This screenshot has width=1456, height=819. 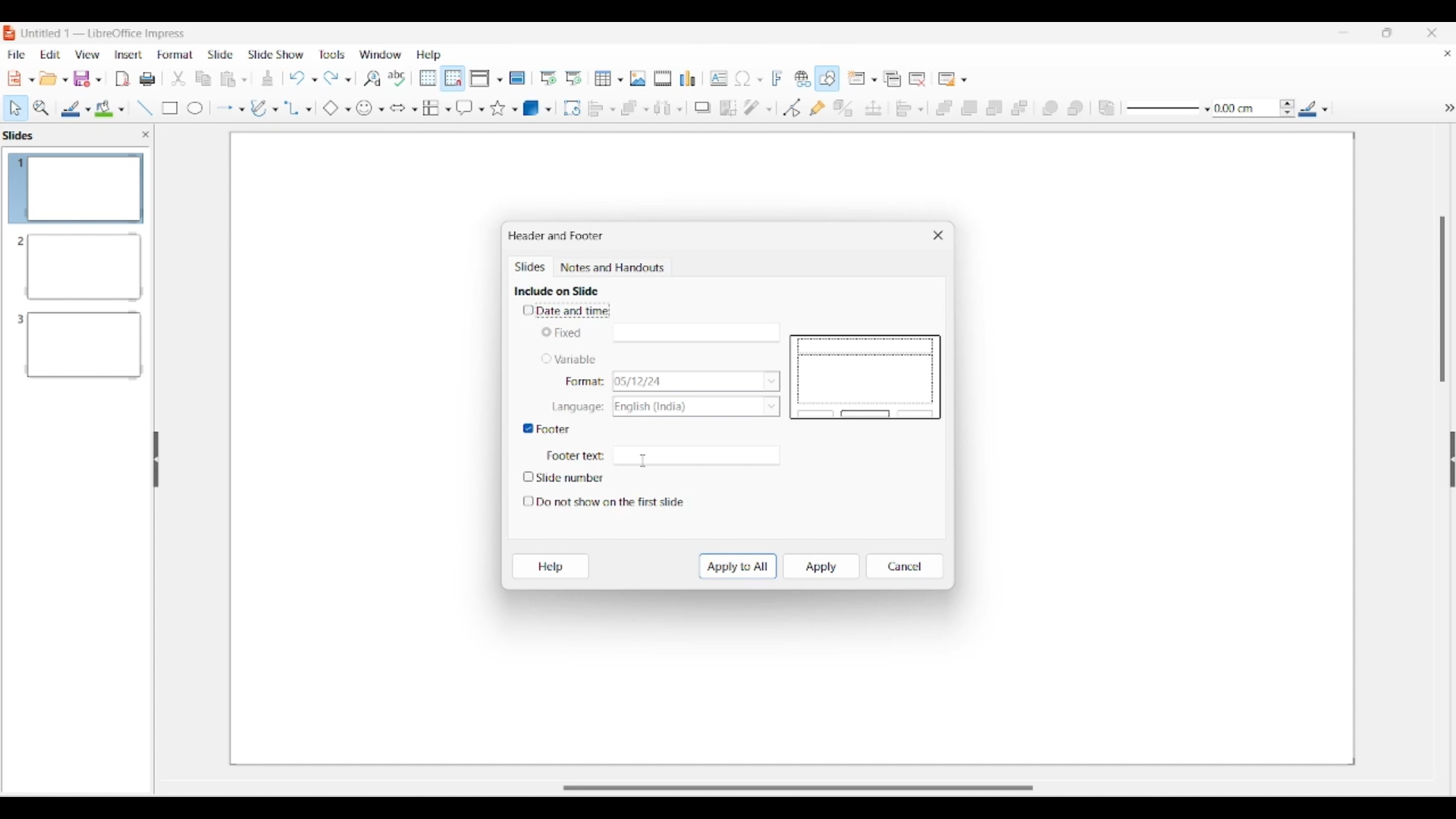 I want to click on Apply to current slide, so click(x=822, y=566).